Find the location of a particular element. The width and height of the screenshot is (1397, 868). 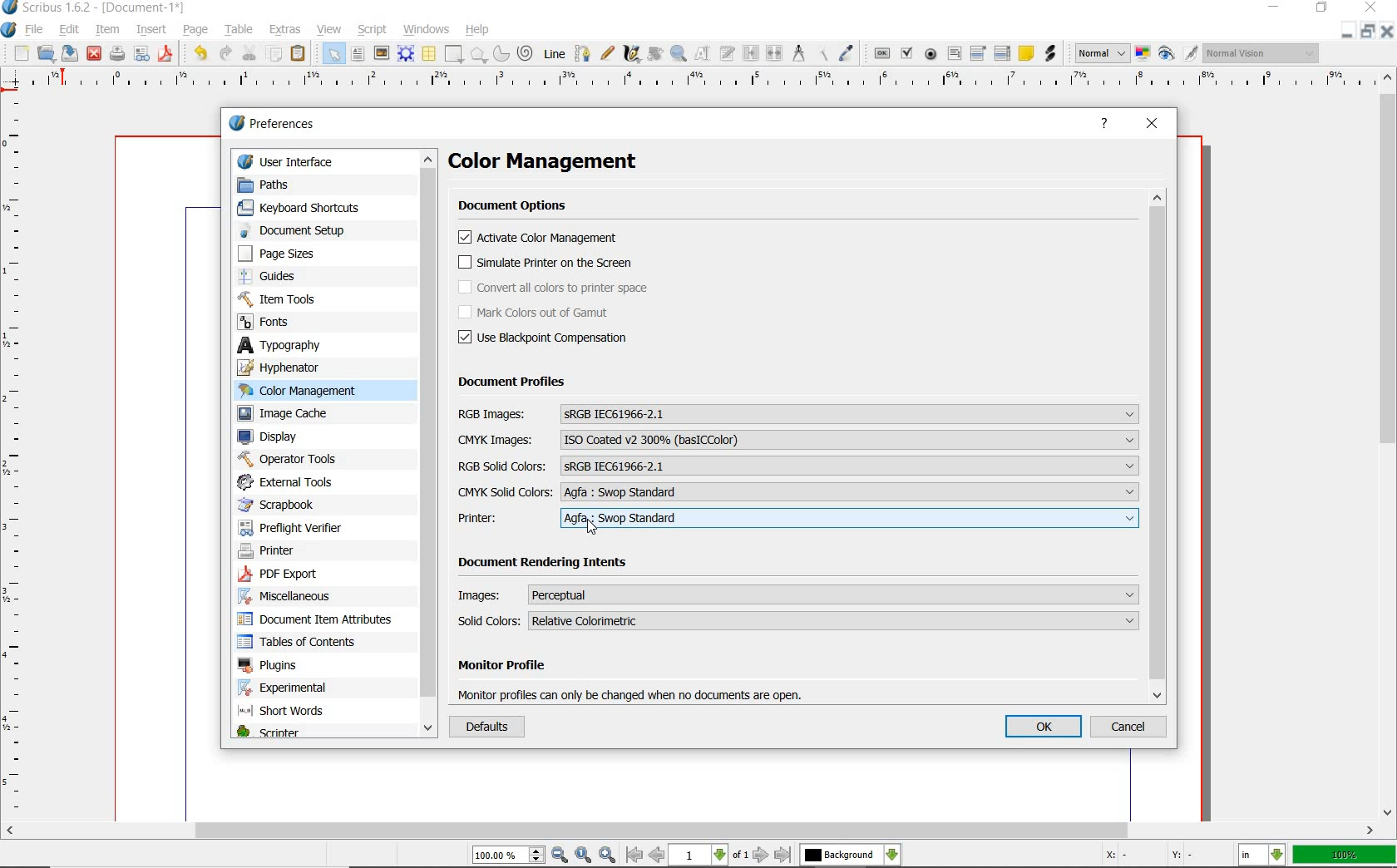

document setup is located at coordinates (293, 231).